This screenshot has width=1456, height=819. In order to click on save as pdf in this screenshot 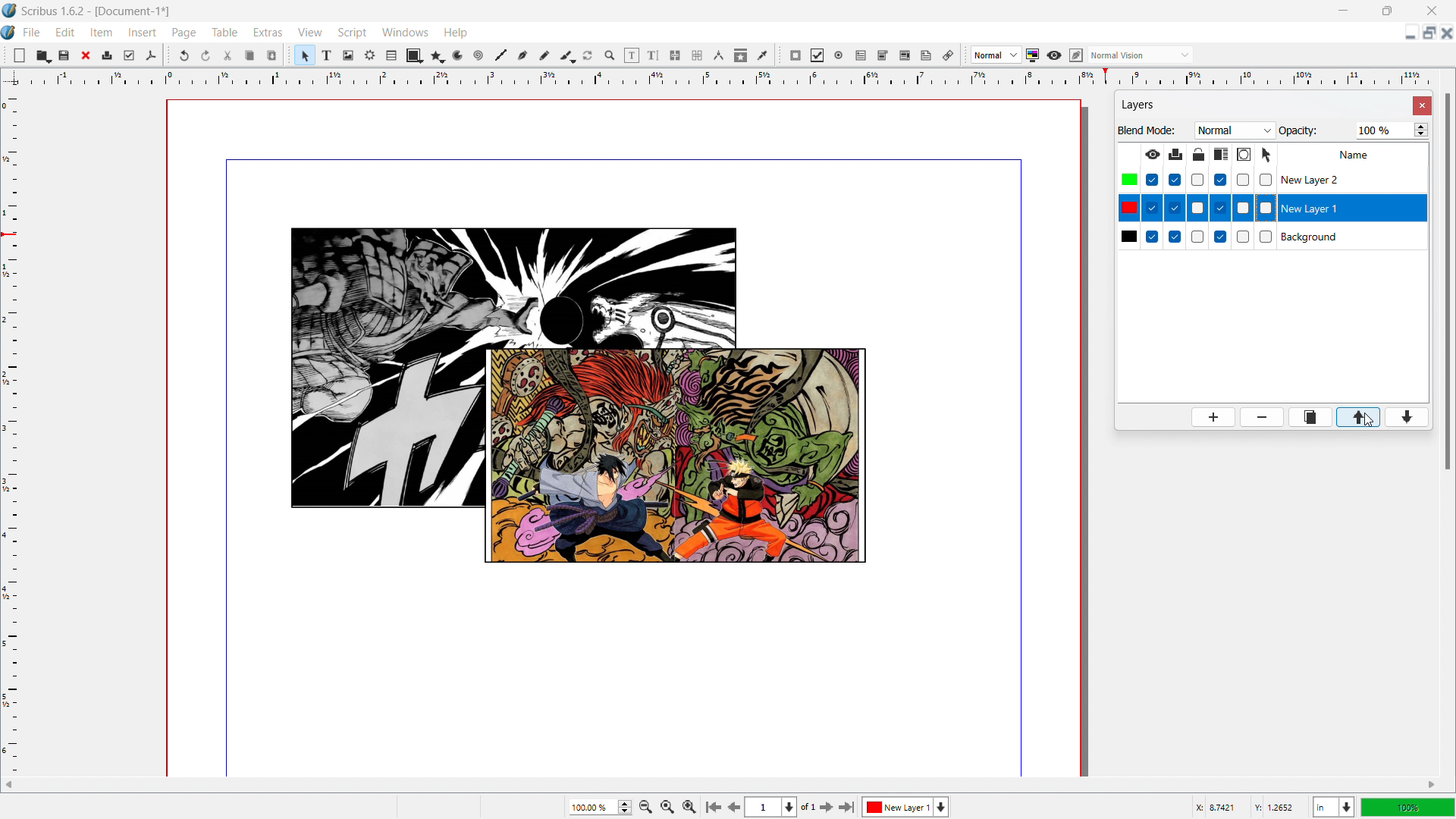, I will do `click(150, 55)`.